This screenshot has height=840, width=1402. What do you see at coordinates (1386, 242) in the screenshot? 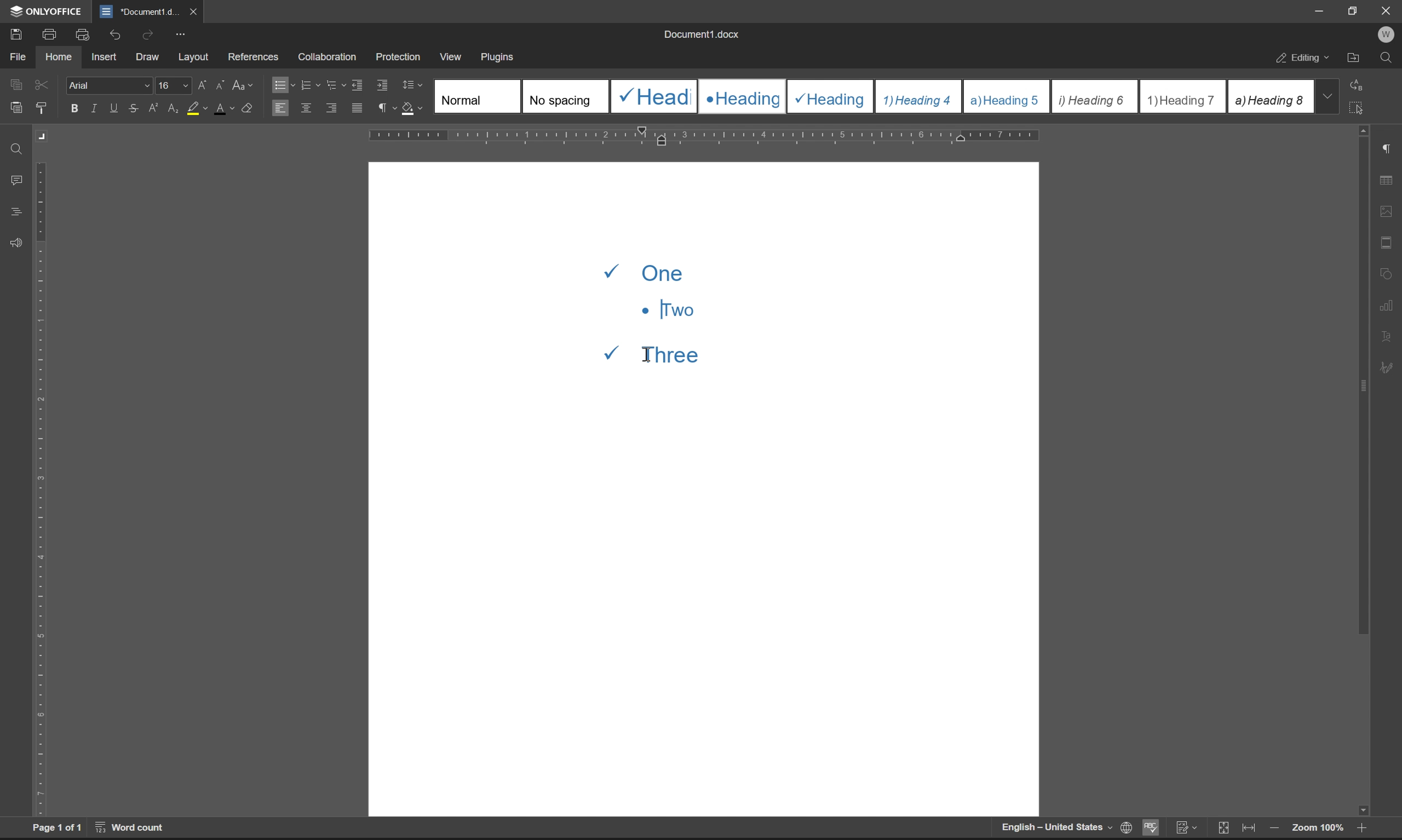
I see `header & footer settings` at bounding box center [1386, 242].